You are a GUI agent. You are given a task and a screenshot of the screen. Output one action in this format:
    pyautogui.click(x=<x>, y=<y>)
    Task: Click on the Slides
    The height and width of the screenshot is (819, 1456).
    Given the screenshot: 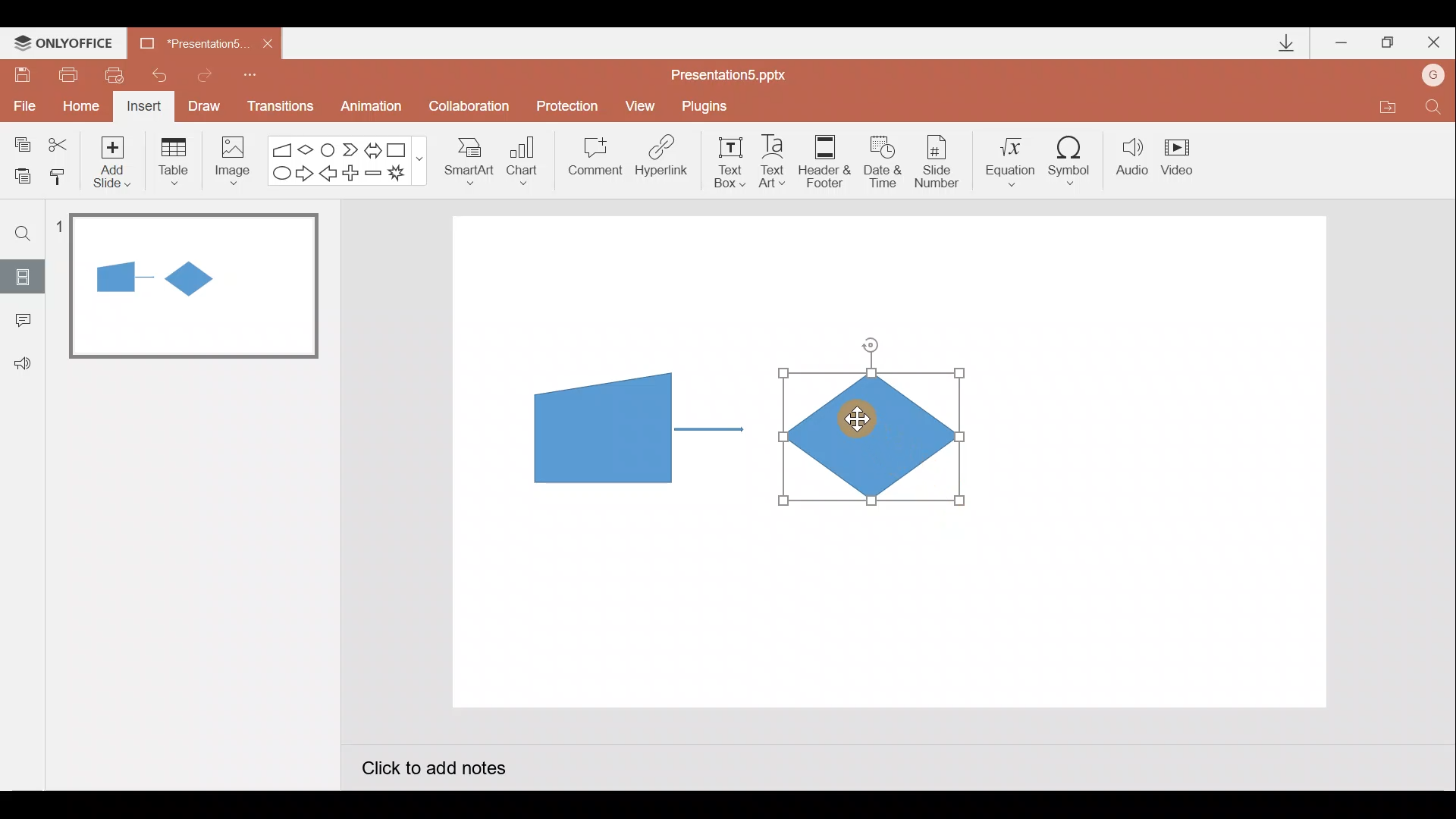 What is the action you would take?
    pyautogui.click(x=22, y=276)
    